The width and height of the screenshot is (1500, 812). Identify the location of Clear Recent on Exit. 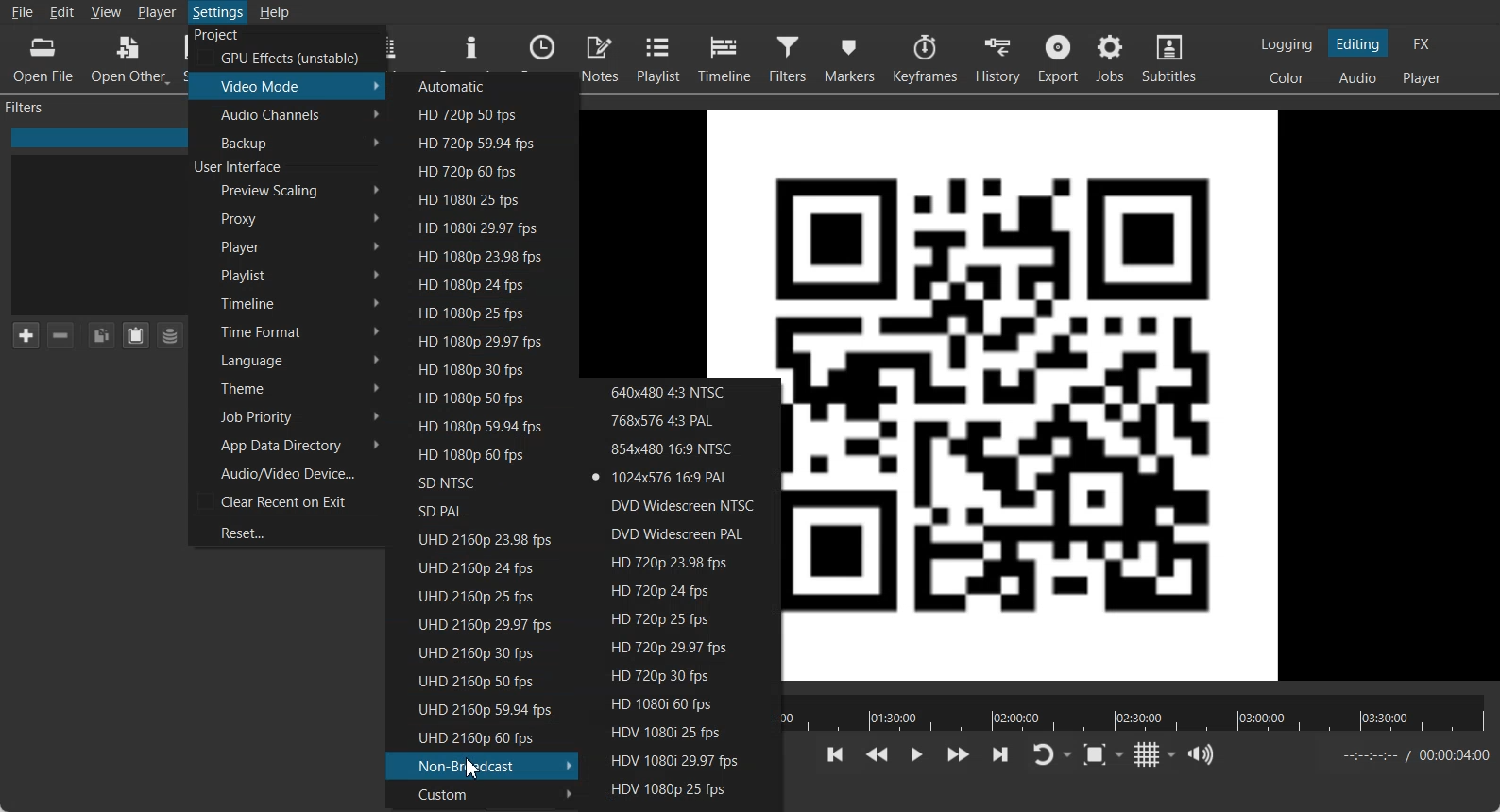
(286, 501).